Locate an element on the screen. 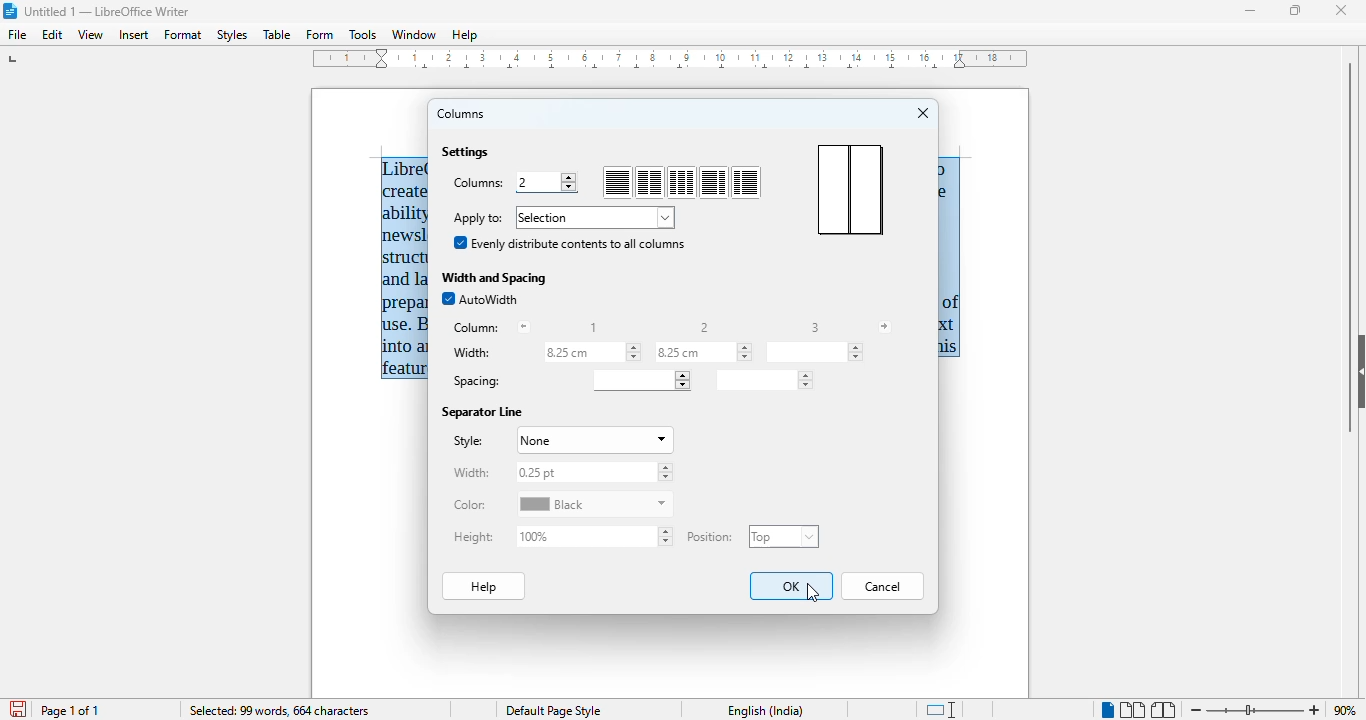 This screenshot has height=720, width=1366. form is located at coordinates (320, 35).